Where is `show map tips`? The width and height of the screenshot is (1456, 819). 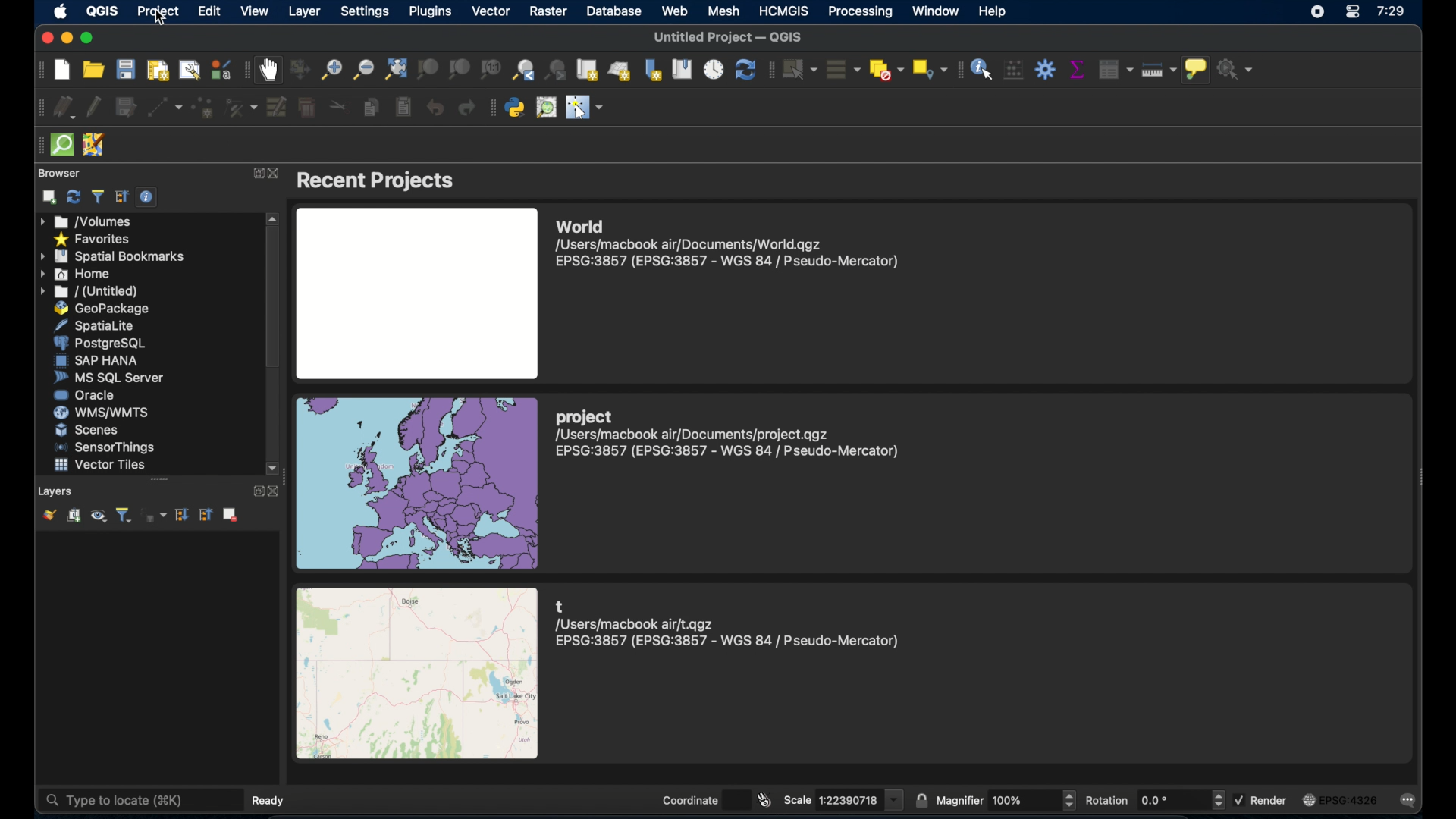
show map tips is located at coordinates (1197, 70).